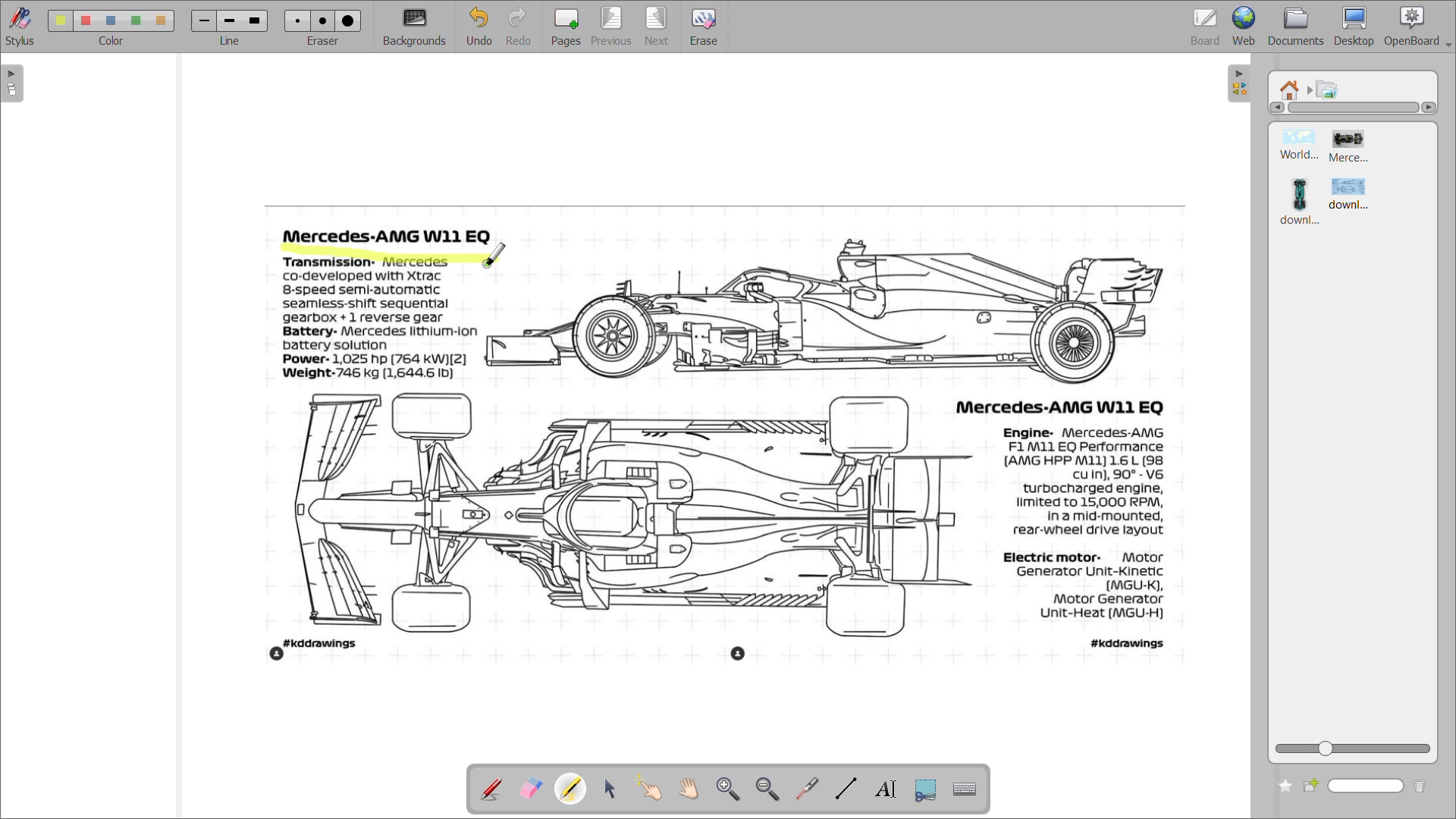  What do you see at coordinates (307, 232) in the screenshot?
I see `cursor` at bounding box center [307, 232].